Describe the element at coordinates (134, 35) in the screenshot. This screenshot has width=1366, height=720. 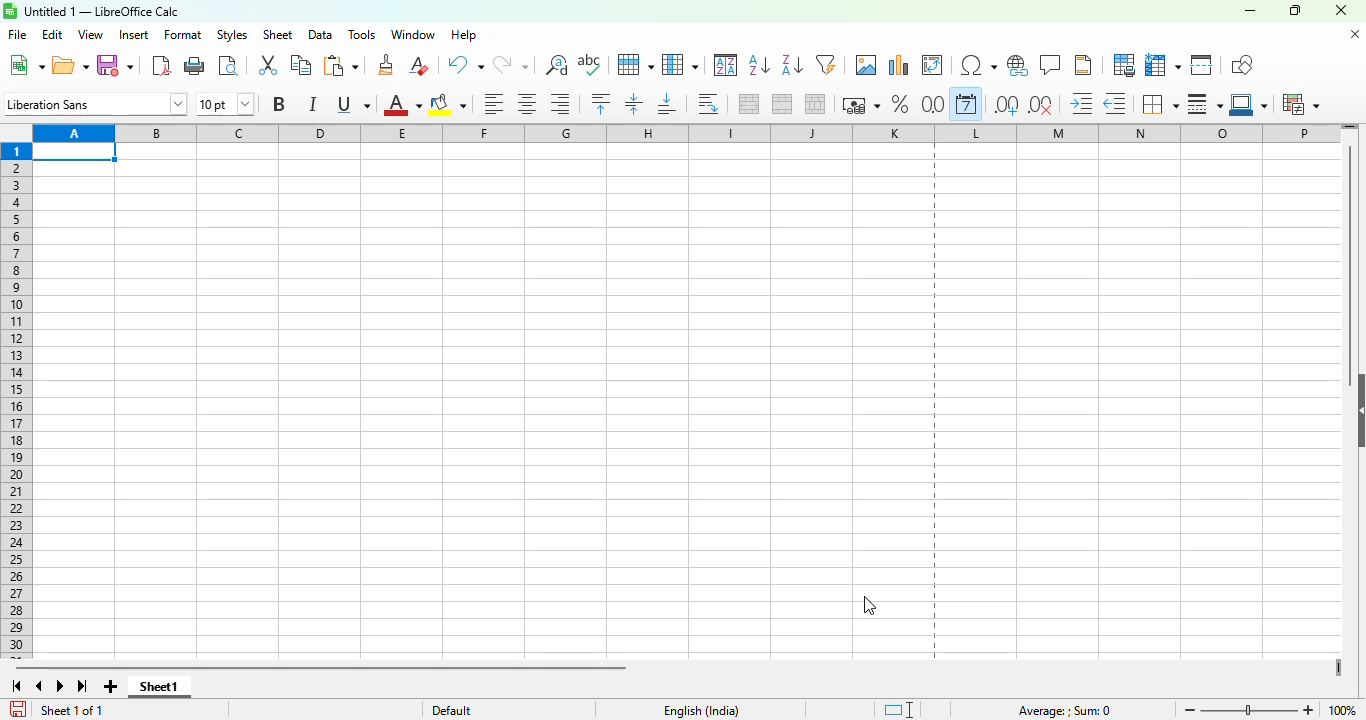
I see `insert` at that location.